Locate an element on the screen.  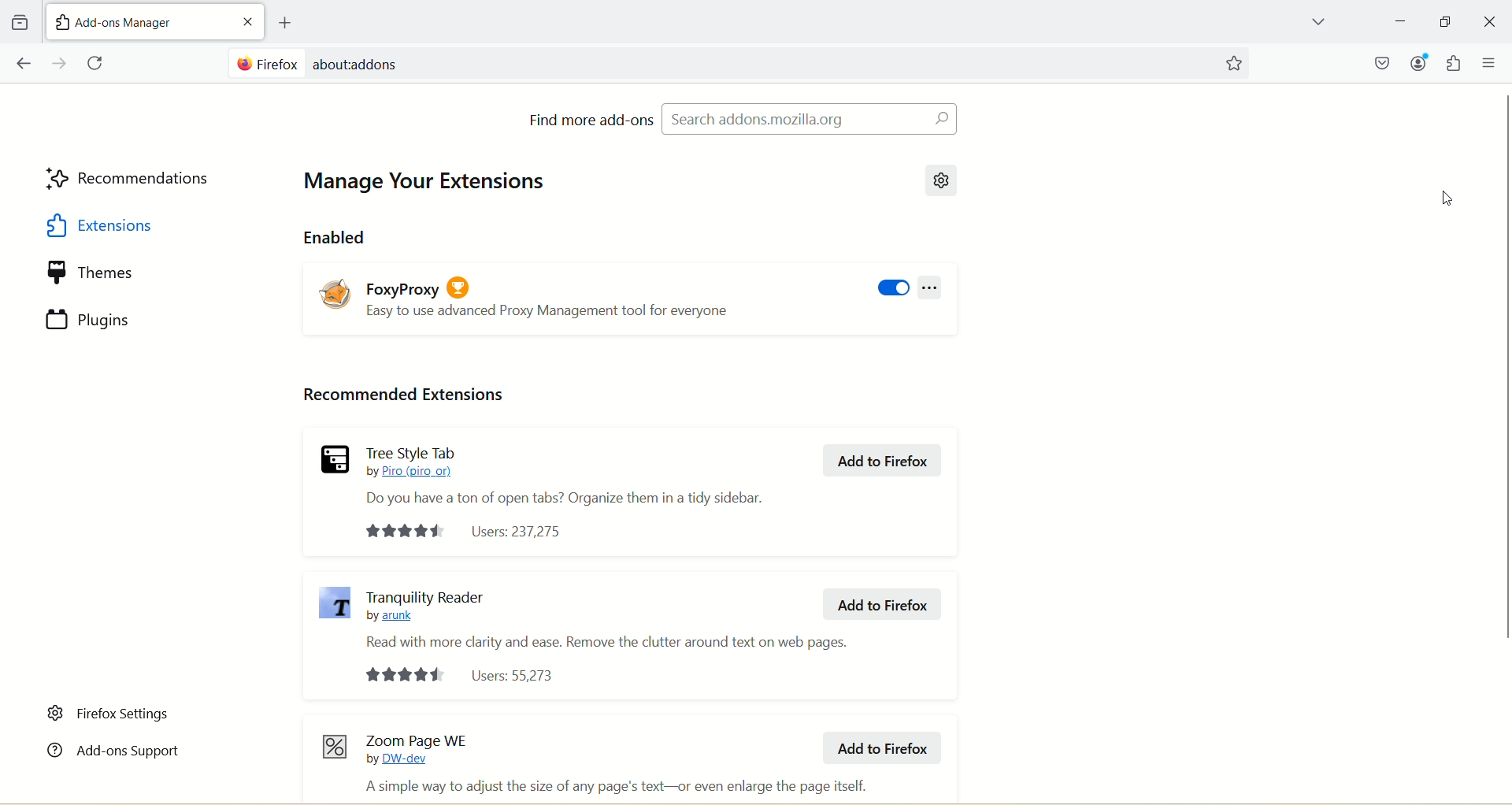
Move Forwards is located at coordinates (61, 63).